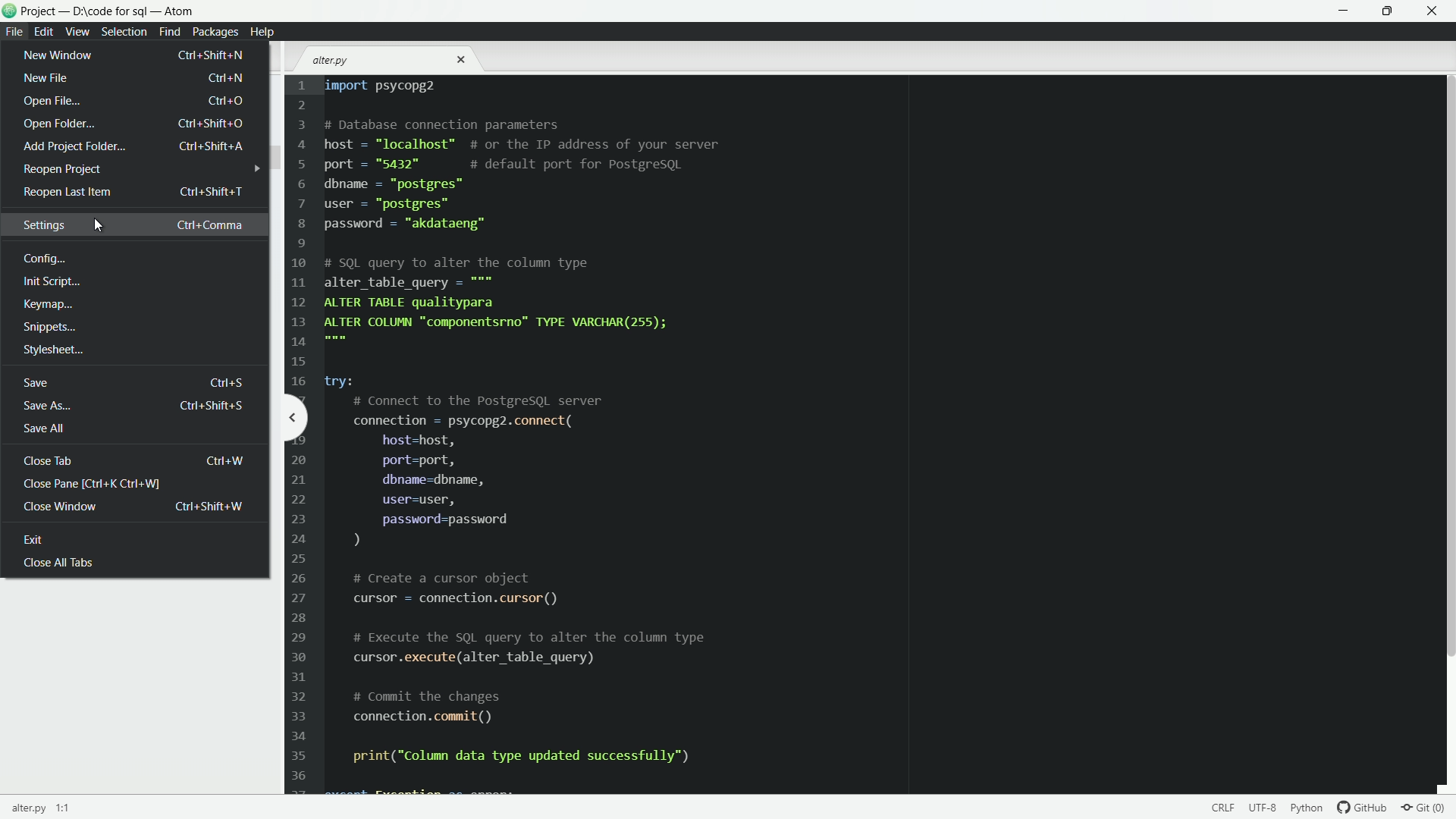 This screenshot has width=1456, height=819. Describe the element at coordinates (133, 146) in the screenshot. I see `add project folder` at that location.